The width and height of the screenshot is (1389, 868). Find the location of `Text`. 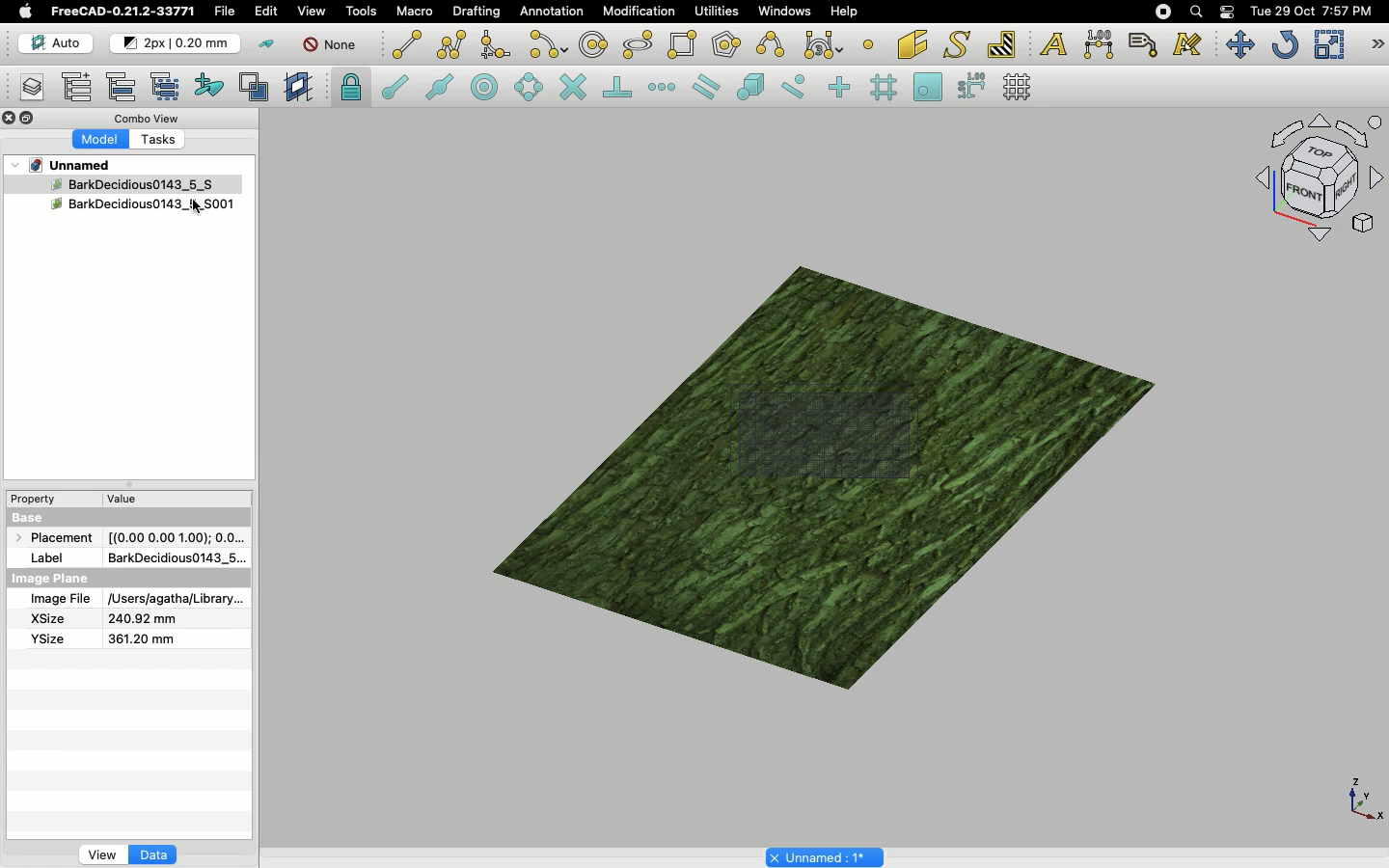

Text is located at coordinates (1053, 45).